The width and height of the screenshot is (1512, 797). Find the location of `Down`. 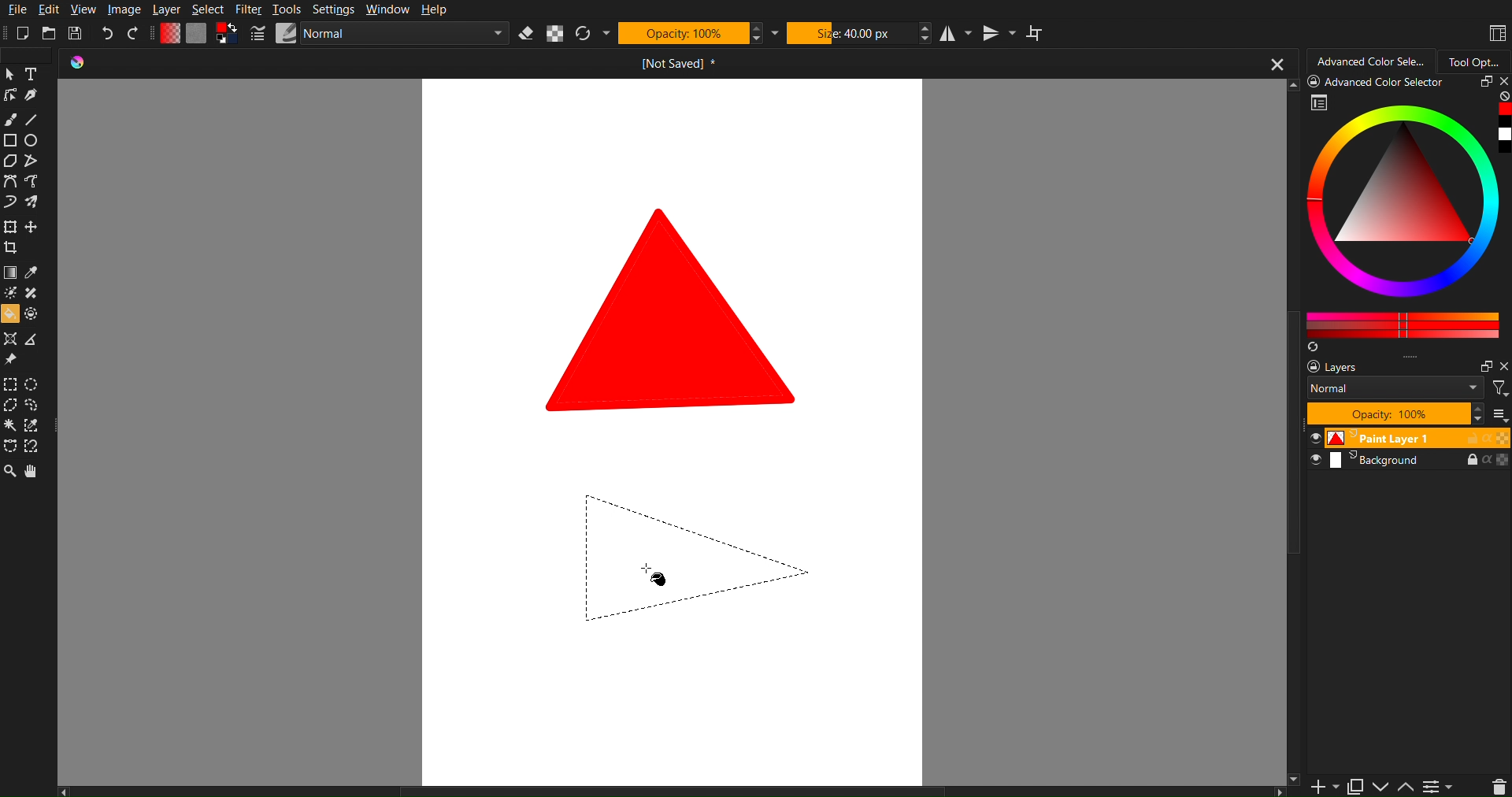

Down is located at coordinates (1381, 787).